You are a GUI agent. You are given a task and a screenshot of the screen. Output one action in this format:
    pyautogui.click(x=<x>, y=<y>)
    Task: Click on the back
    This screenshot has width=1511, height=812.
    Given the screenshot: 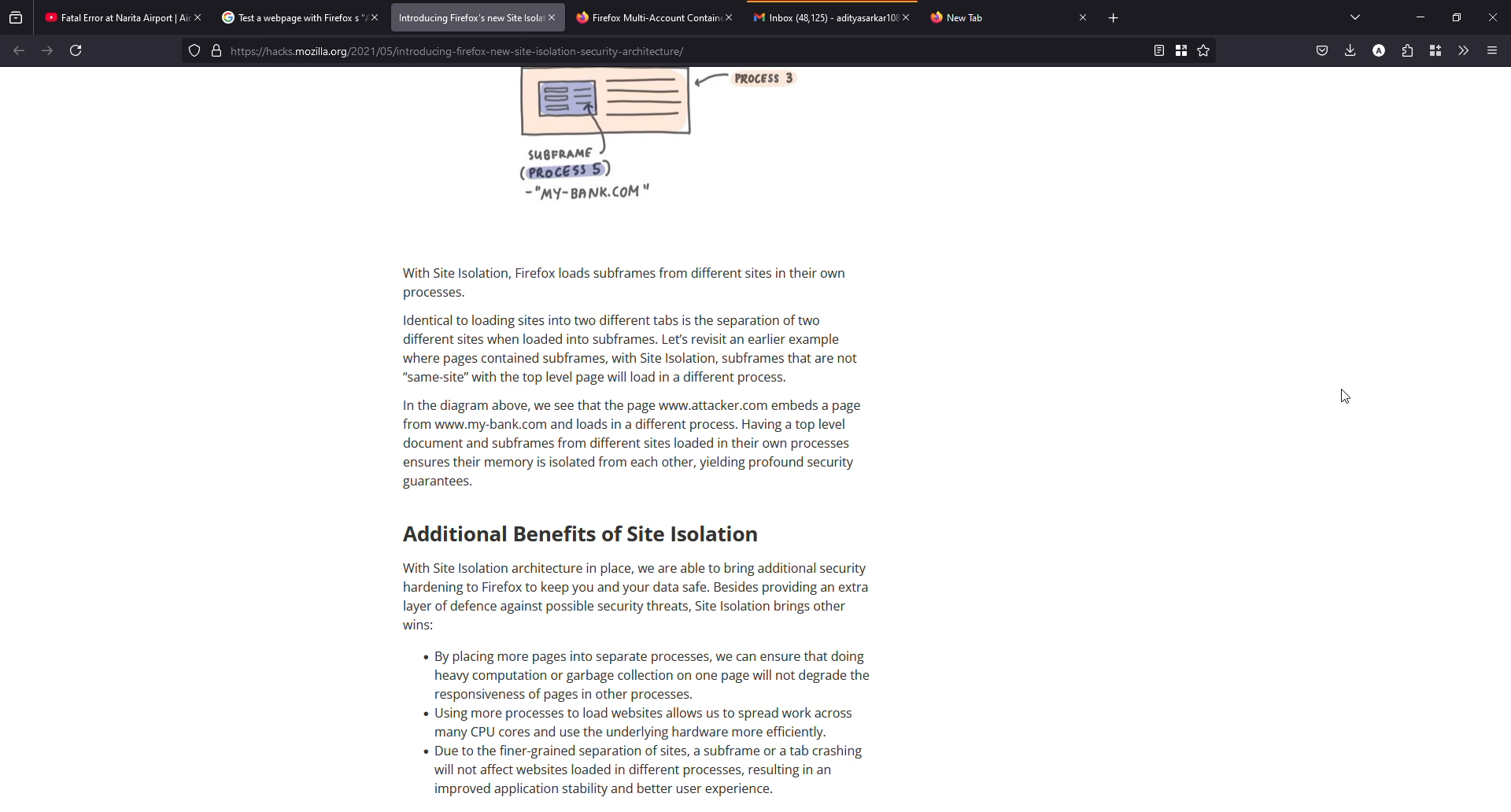 What is the action you would take?
    pyautogui.click(x=19, y=50)
    